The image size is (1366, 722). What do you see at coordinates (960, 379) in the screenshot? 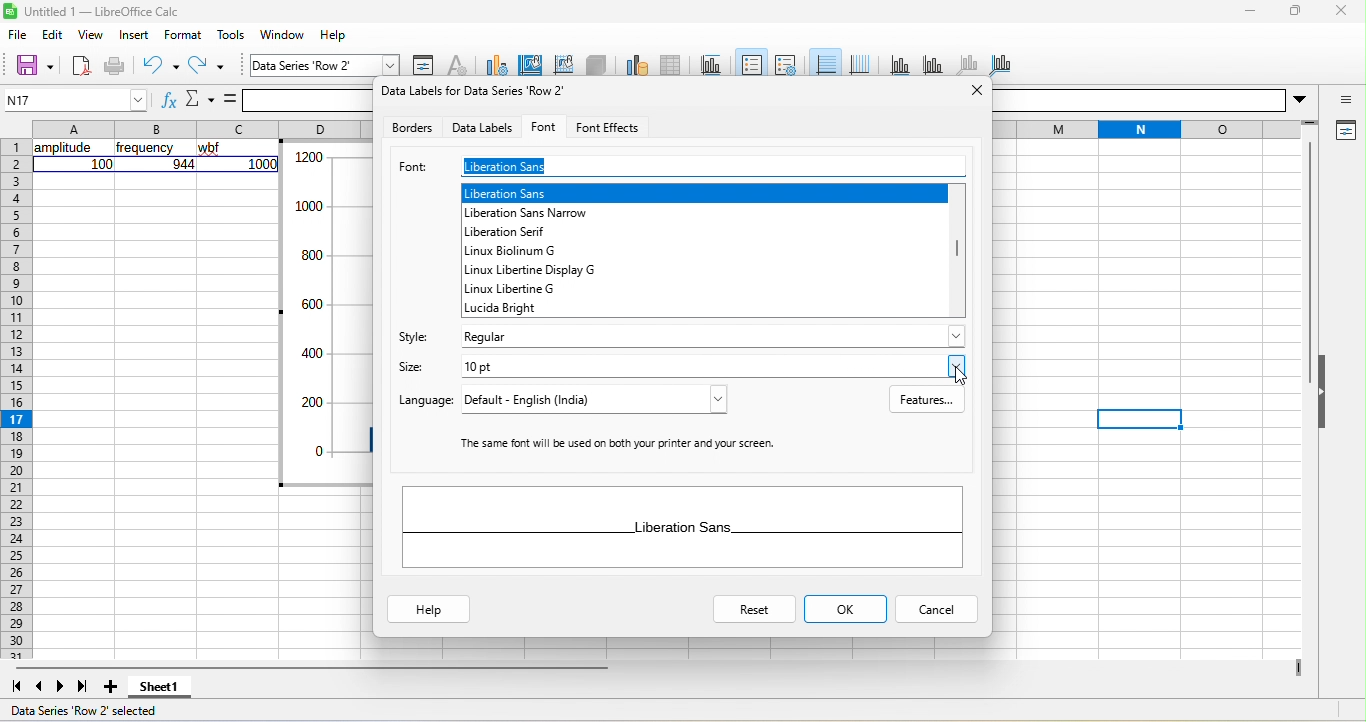
I see `cursor ` at bounding box center [960, 379].